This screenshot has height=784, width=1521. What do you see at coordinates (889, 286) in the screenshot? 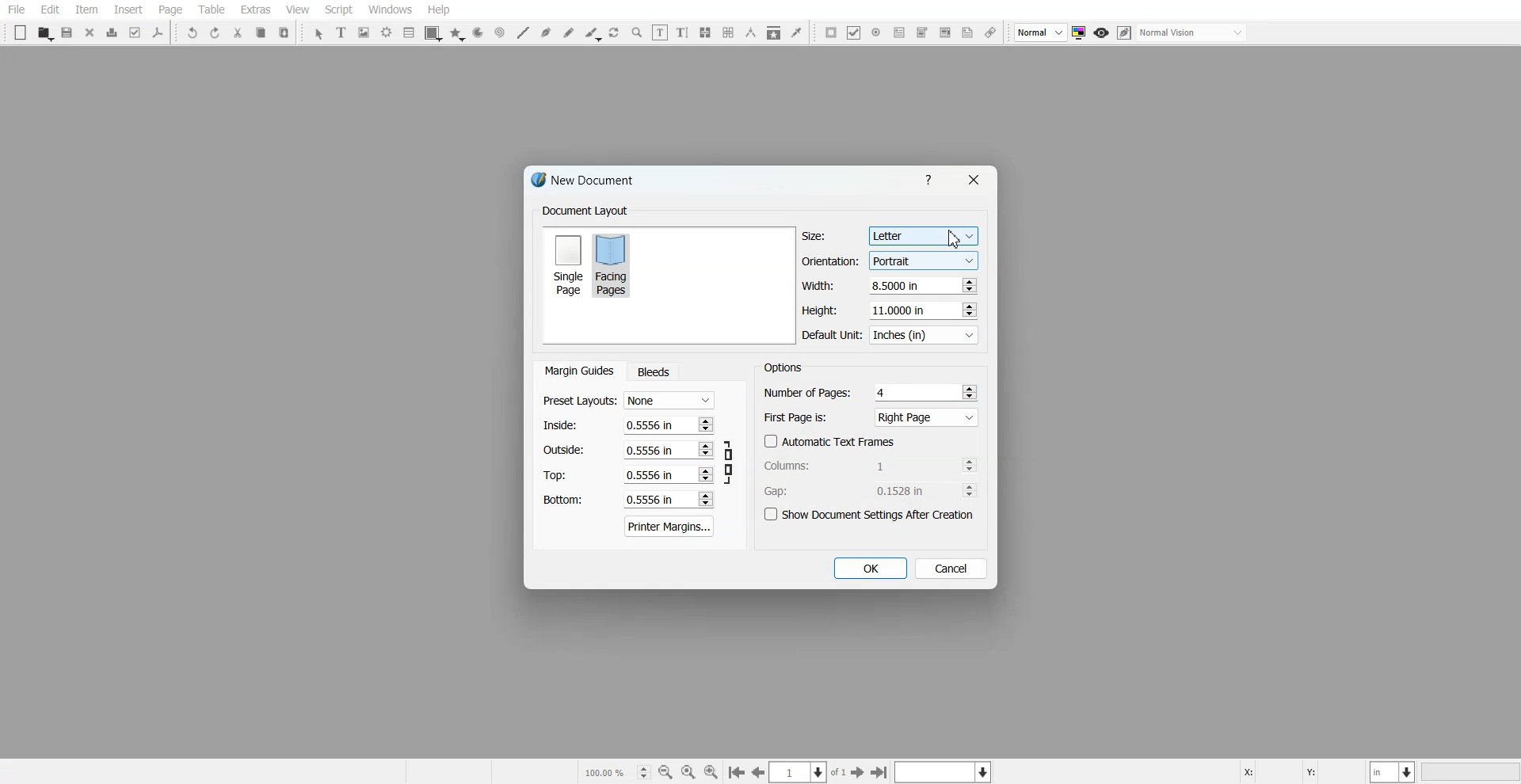
I see `Width adjuster` at bounding box center [889, 286].